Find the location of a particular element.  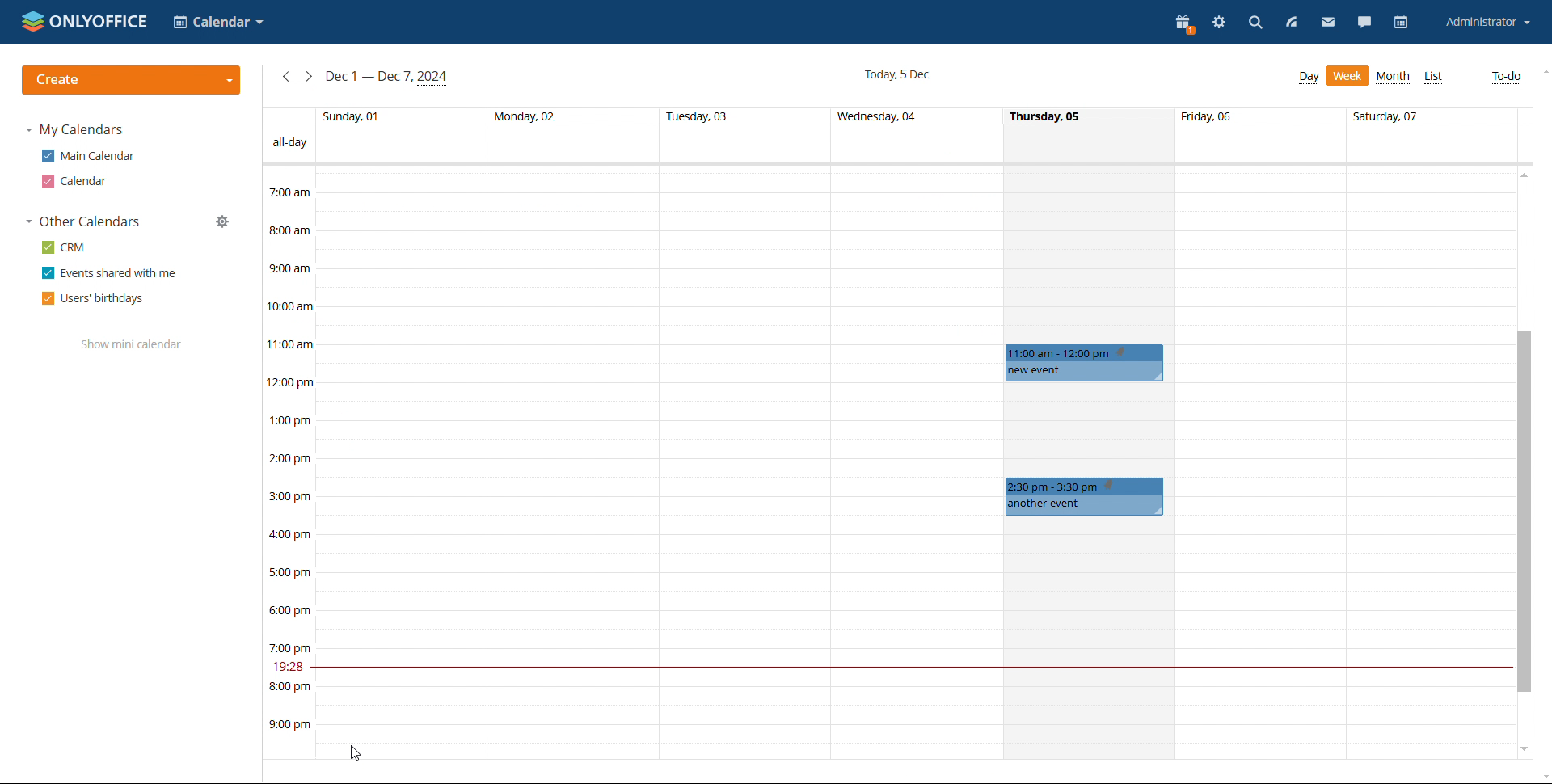

Sunday, 01 is located at coordinates (356, 116).